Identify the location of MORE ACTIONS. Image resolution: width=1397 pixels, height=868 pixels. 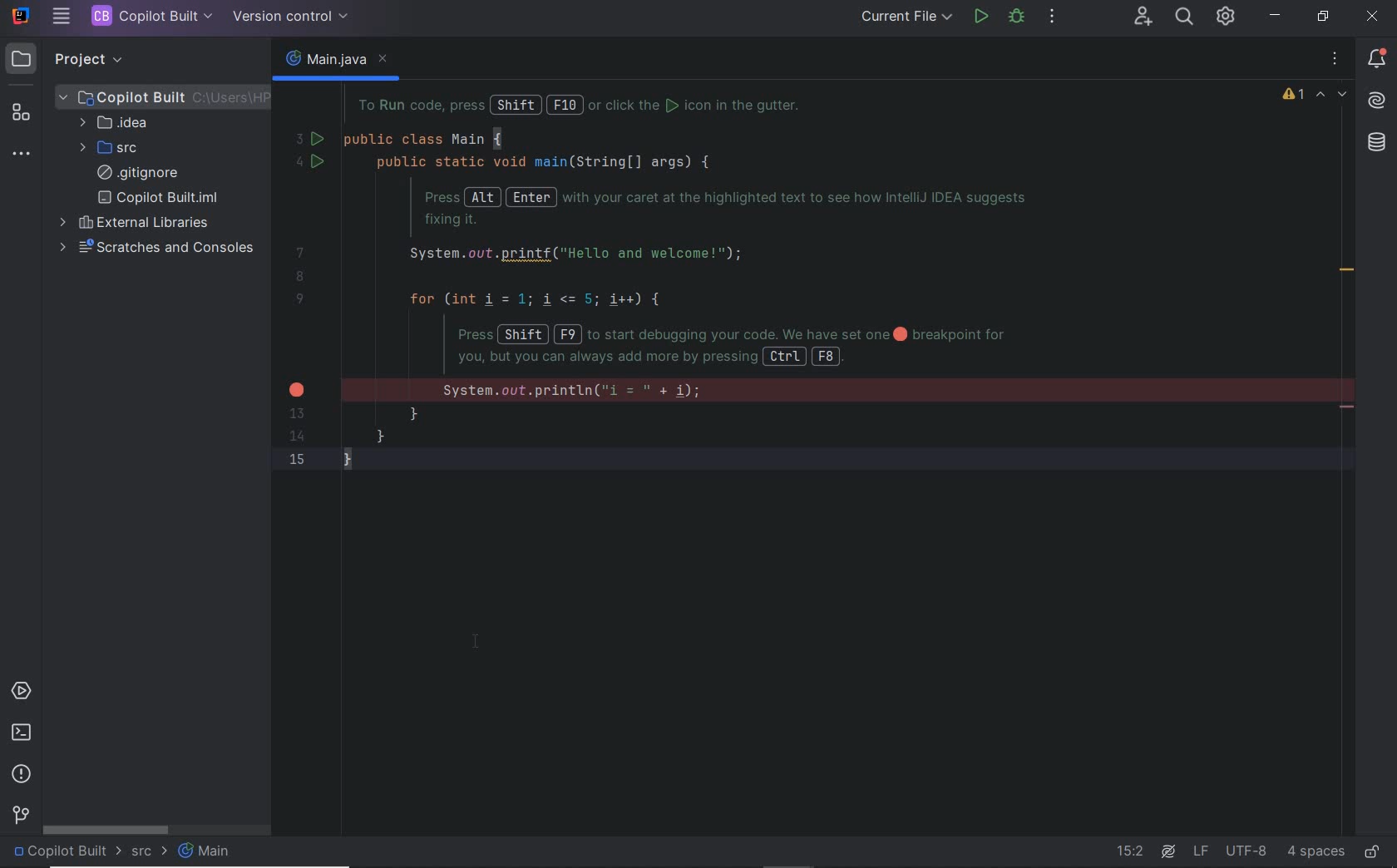
(1052, 18).